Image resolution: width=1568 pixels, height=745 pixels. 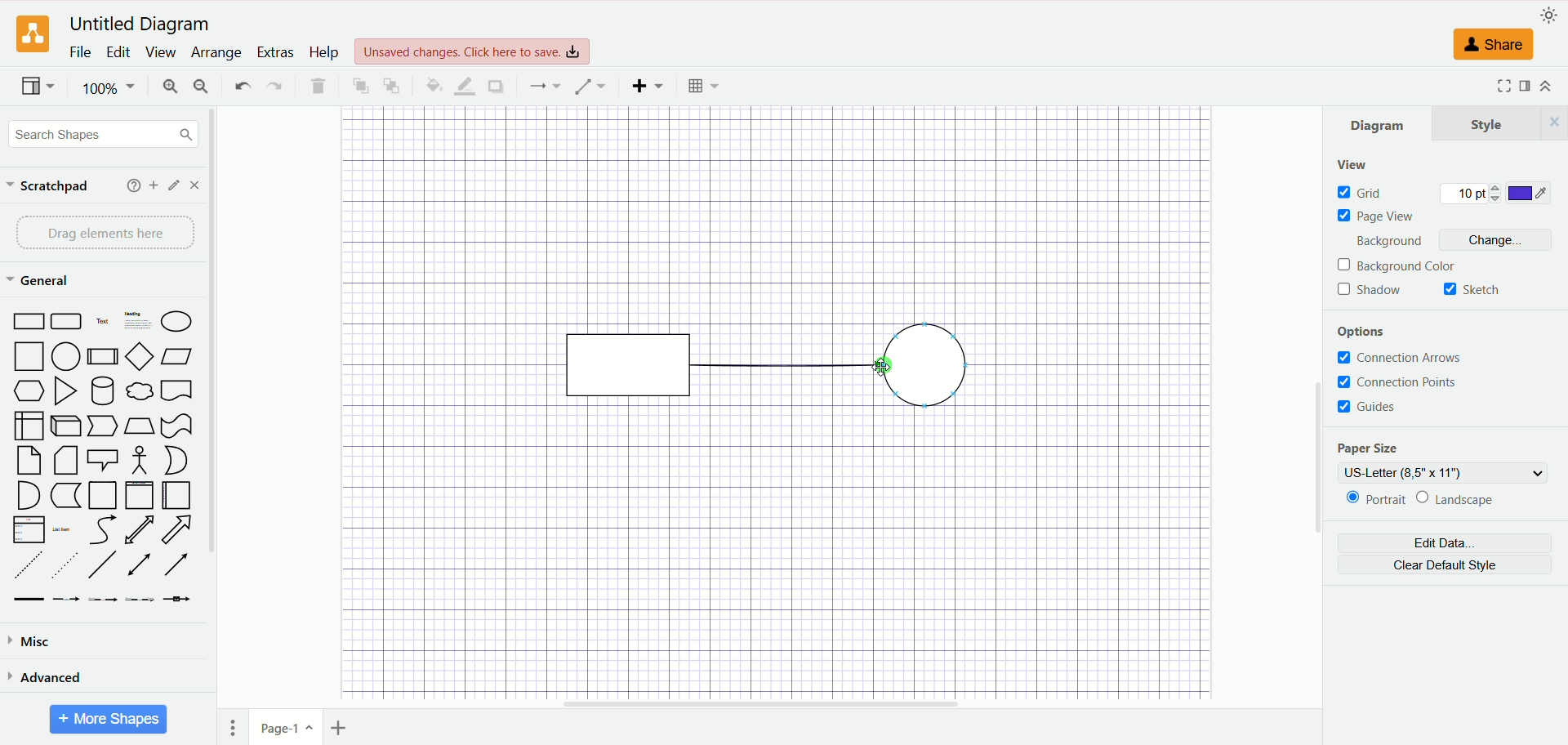 I want to click on Arrow, so click(x=182, y=530).